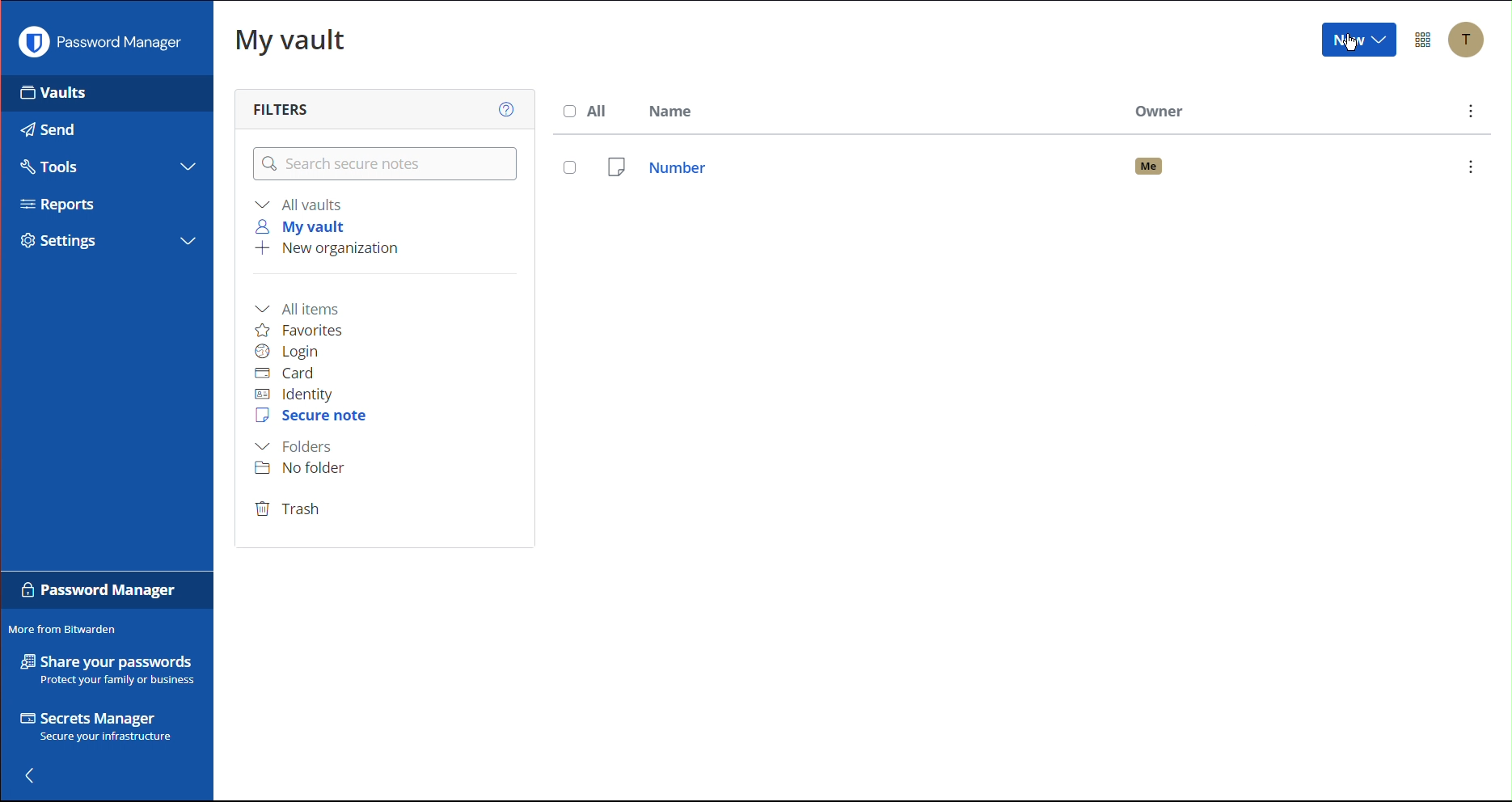  Describe the element at coordinates (1357, 40) in the screenshot. I see `New` at that location.